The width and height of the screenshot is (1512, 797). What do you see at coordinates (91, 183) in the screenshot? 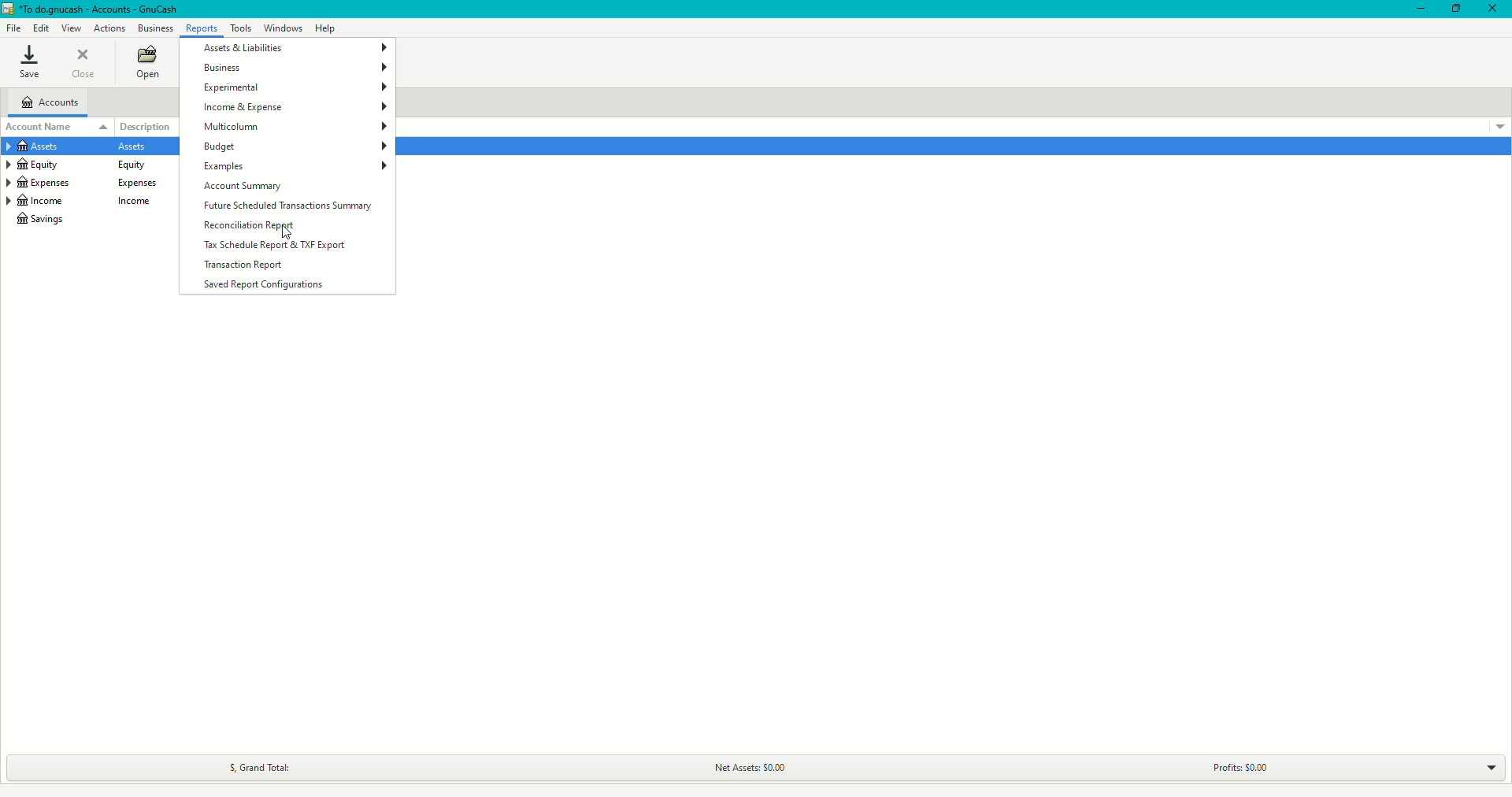
I see `Expenses` at bounding box center [91, 183].